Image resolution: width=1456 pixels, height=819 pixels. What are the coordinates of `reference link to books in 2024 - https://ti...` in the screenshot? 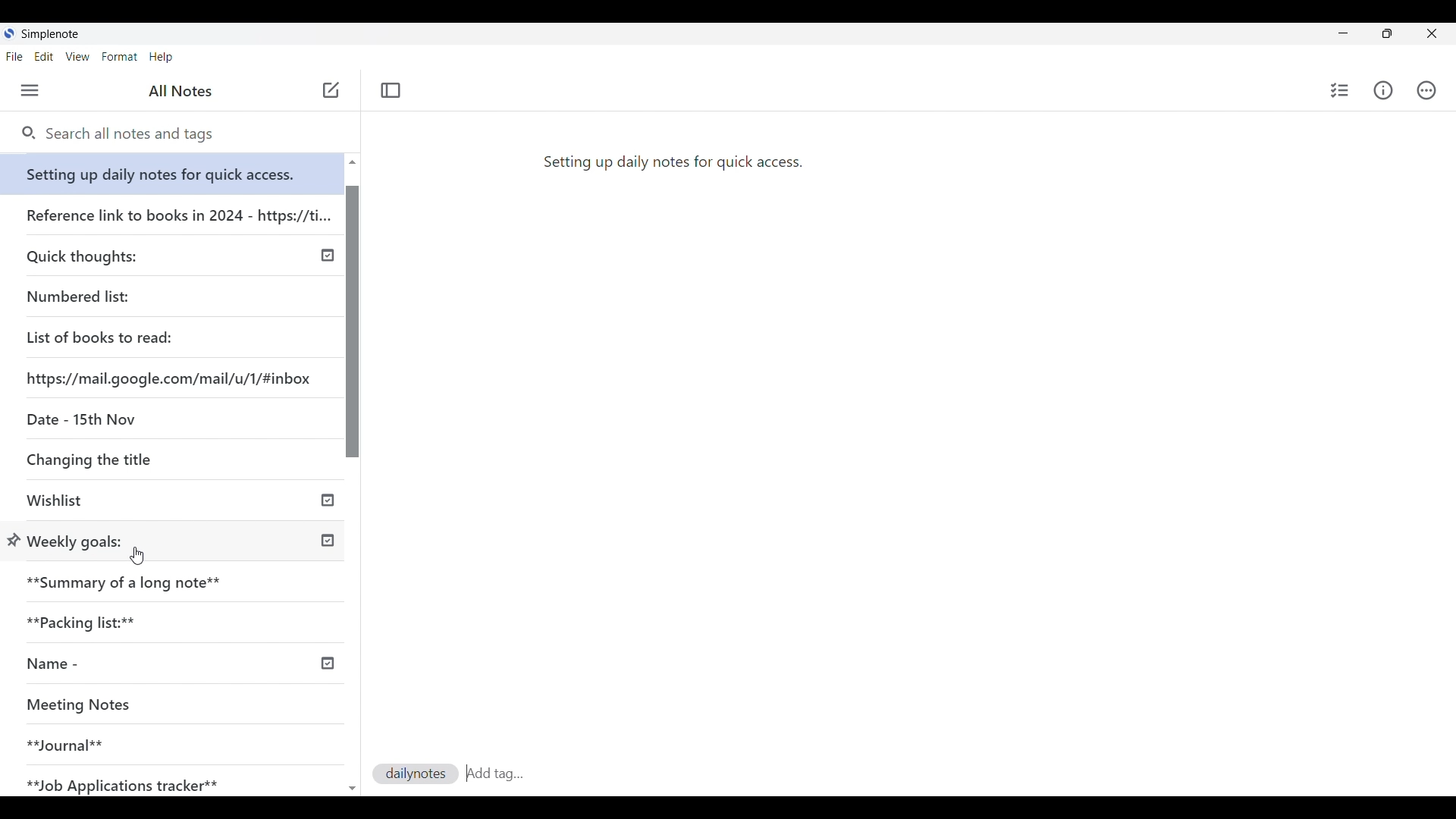 It's located at (177, 209).